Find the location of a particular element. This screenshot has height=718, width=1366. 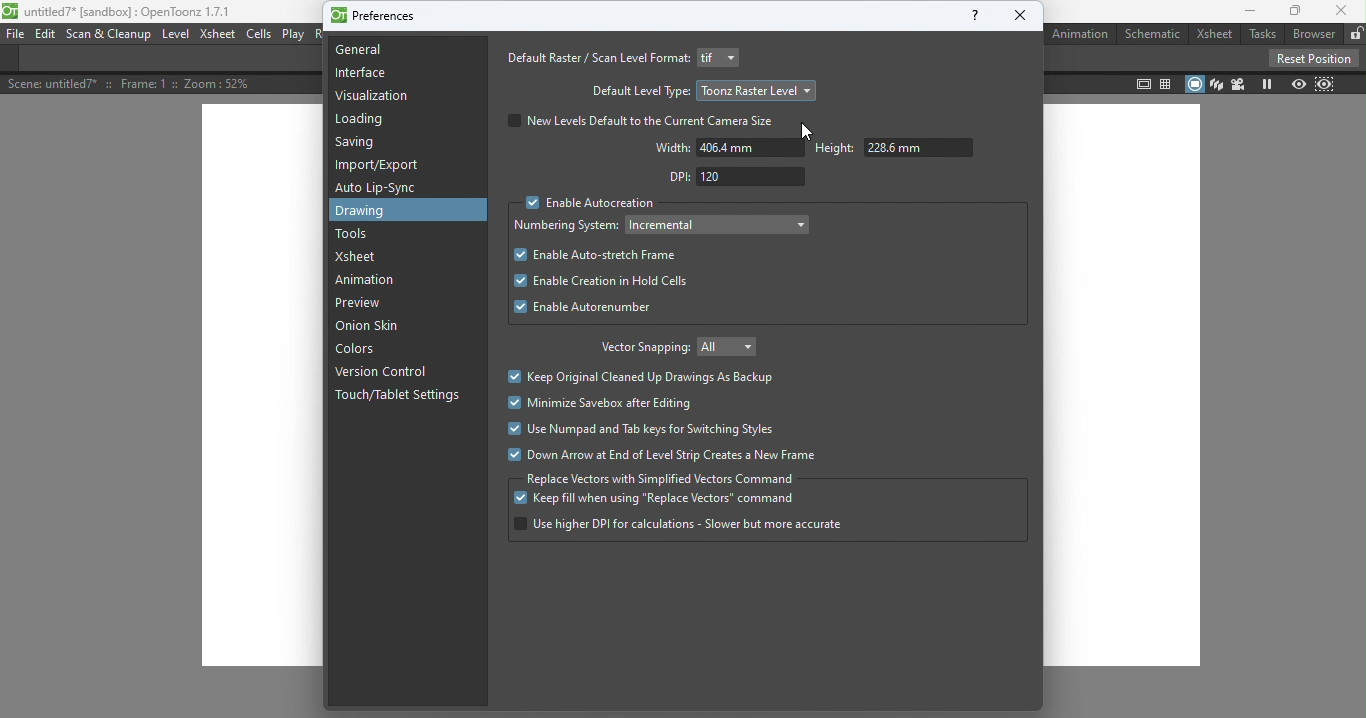

Freeze is located at coordinates (1266, 85).